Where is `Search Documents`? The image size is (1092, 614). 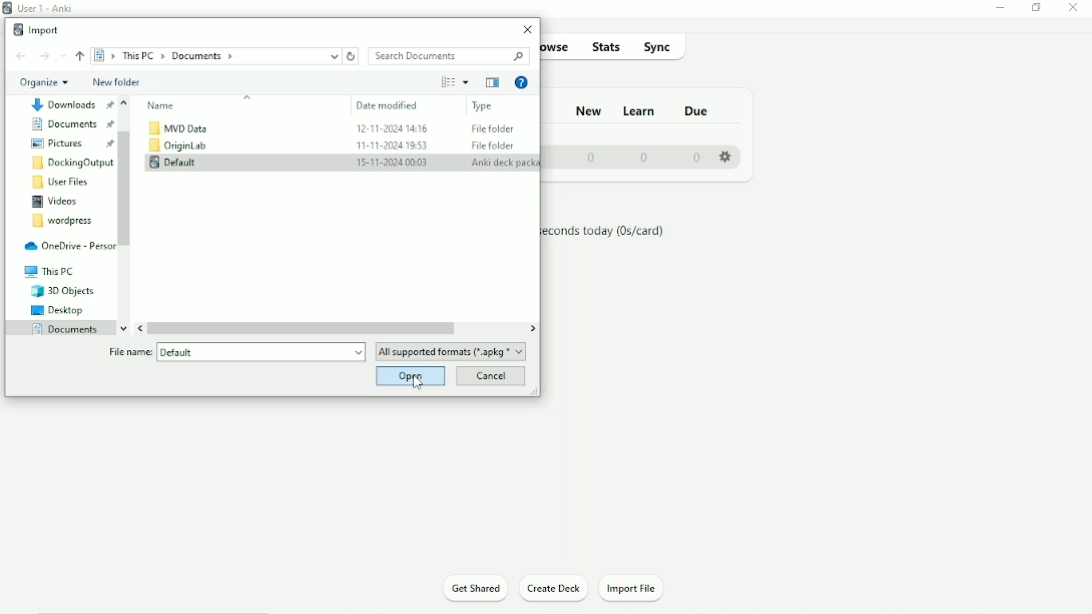
Search Documents is located at coordinates (448, 56).